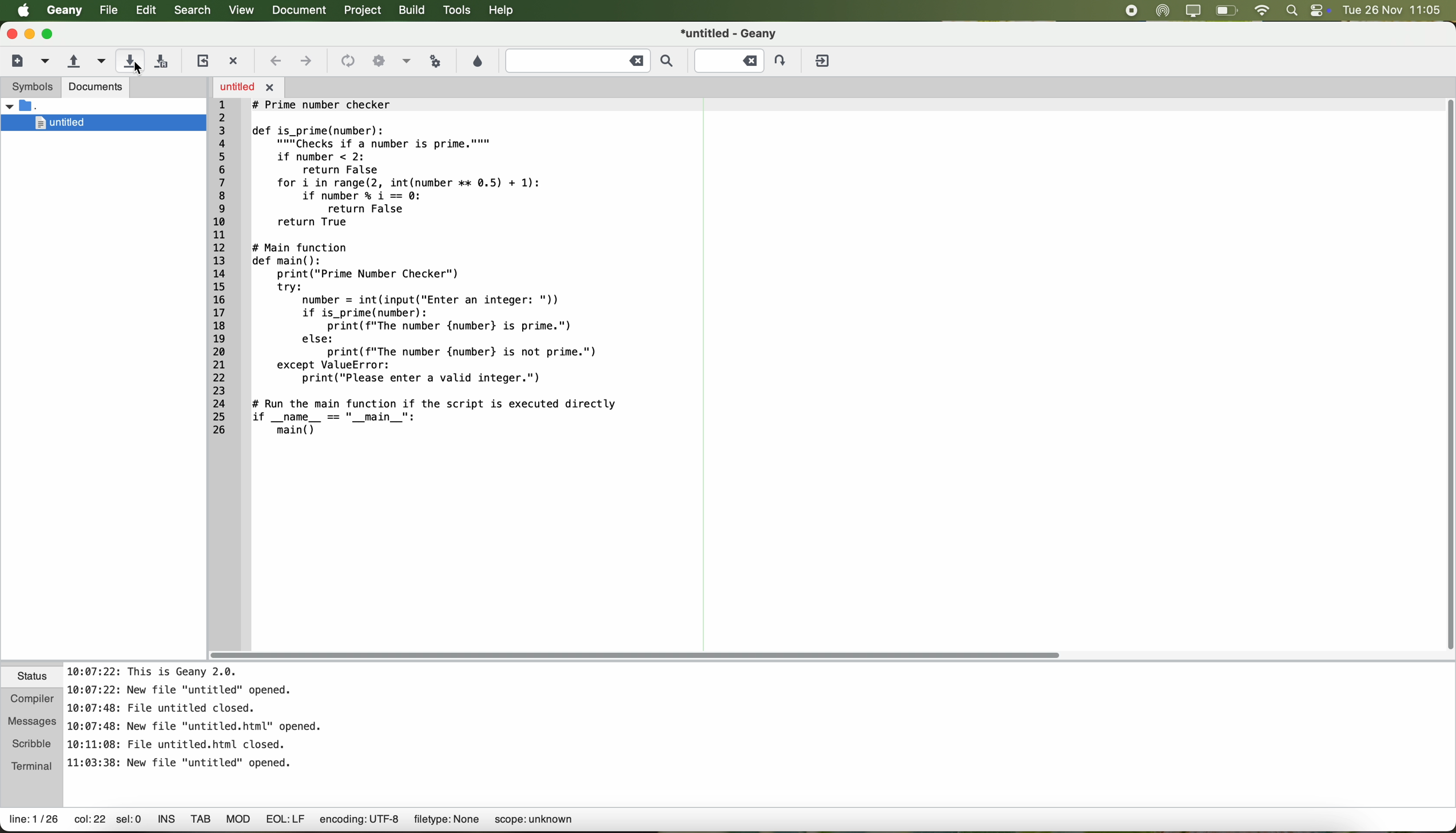 This screenshot has width=1456, height=833. What do you see at coordinates (1319, 10) in the screenshot?
I see `controls` at bounding box center [1319, 10].